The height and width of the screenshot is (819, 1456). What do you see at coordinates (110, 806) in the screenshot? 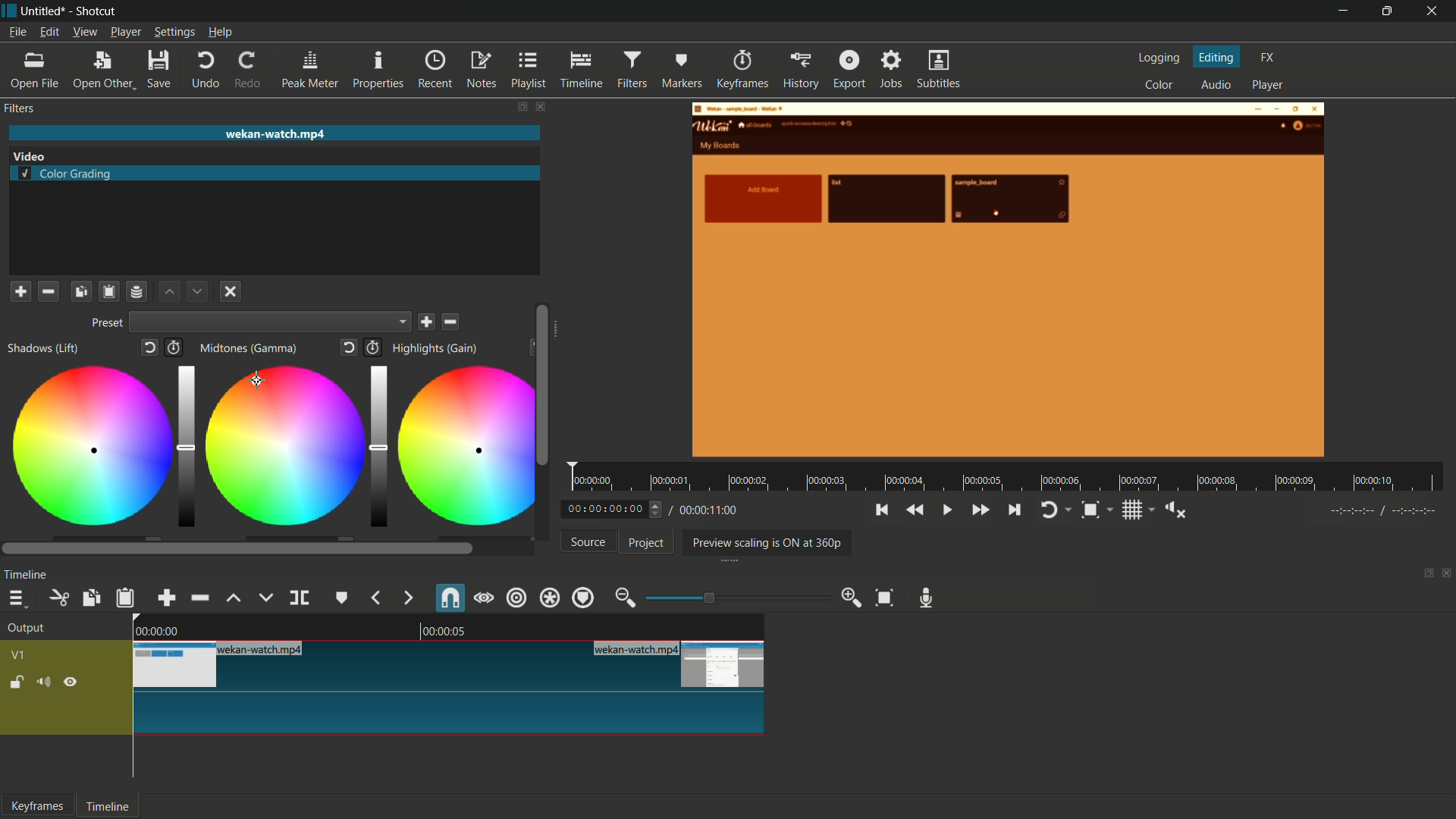
I see `timeline` at bounding box center [110, 806].